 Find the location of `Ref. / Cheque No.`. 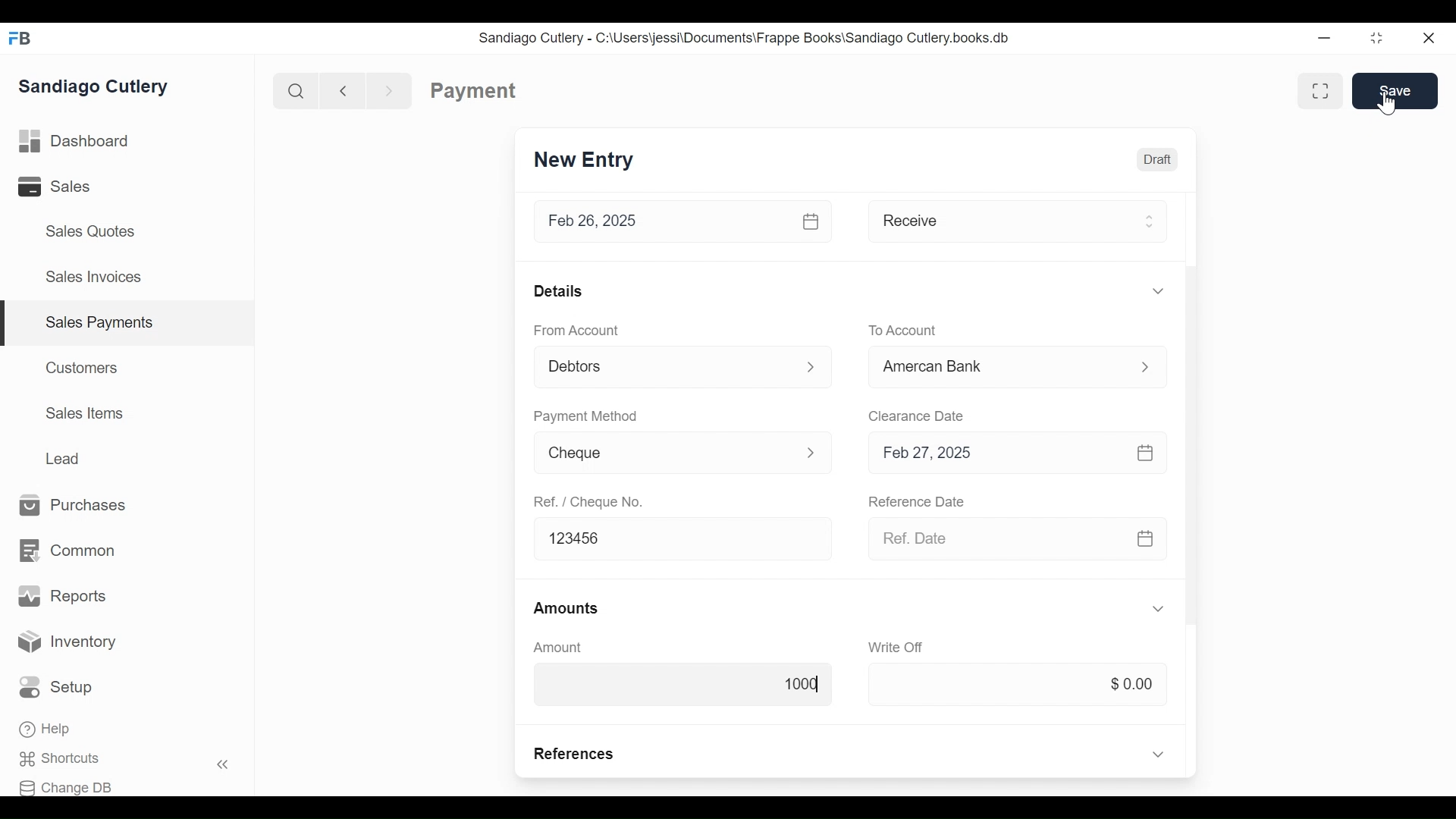

Ref. / Cheque No. is located at coordinates (591, 502).